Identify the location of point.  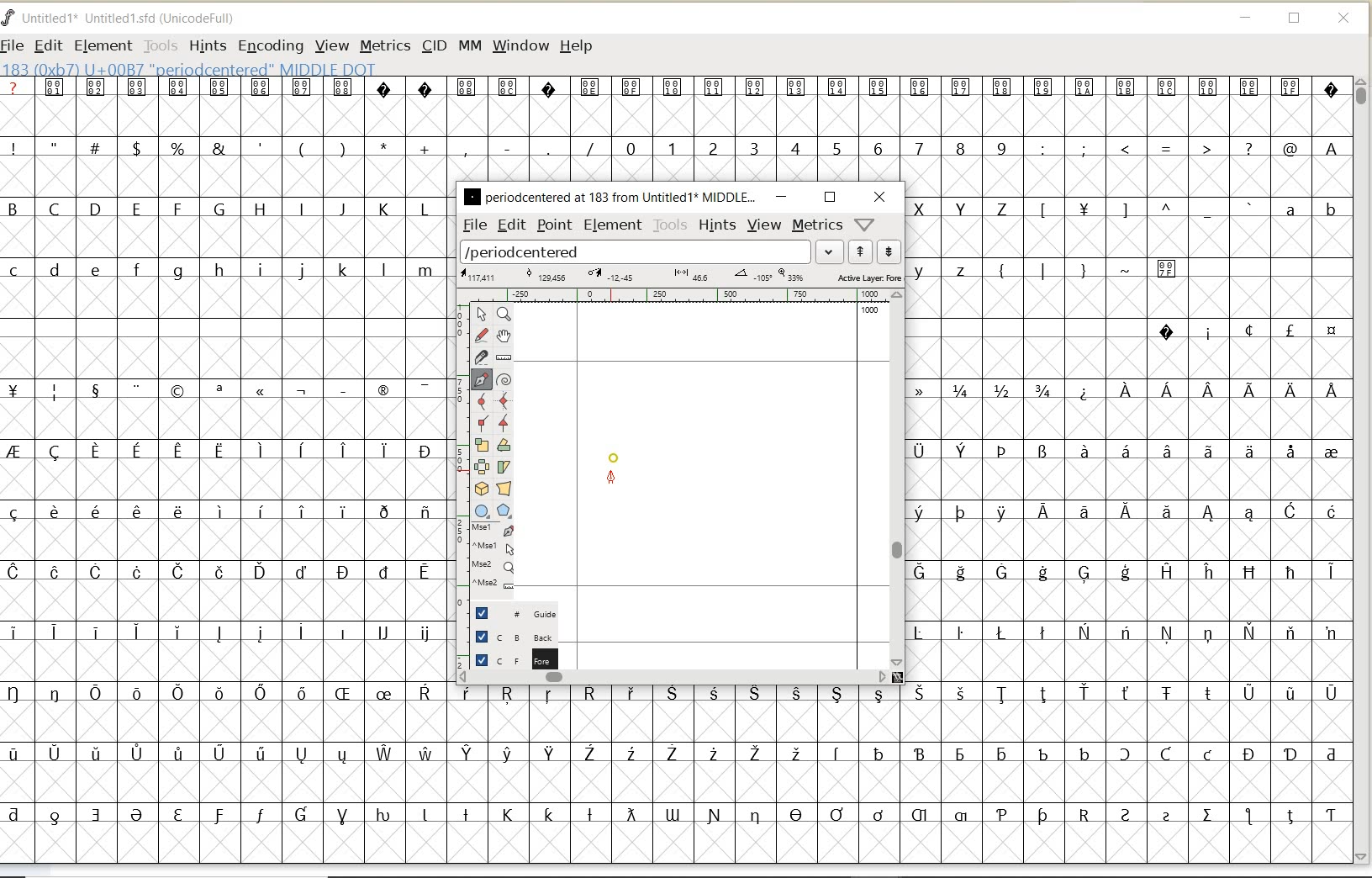
(554, 226).